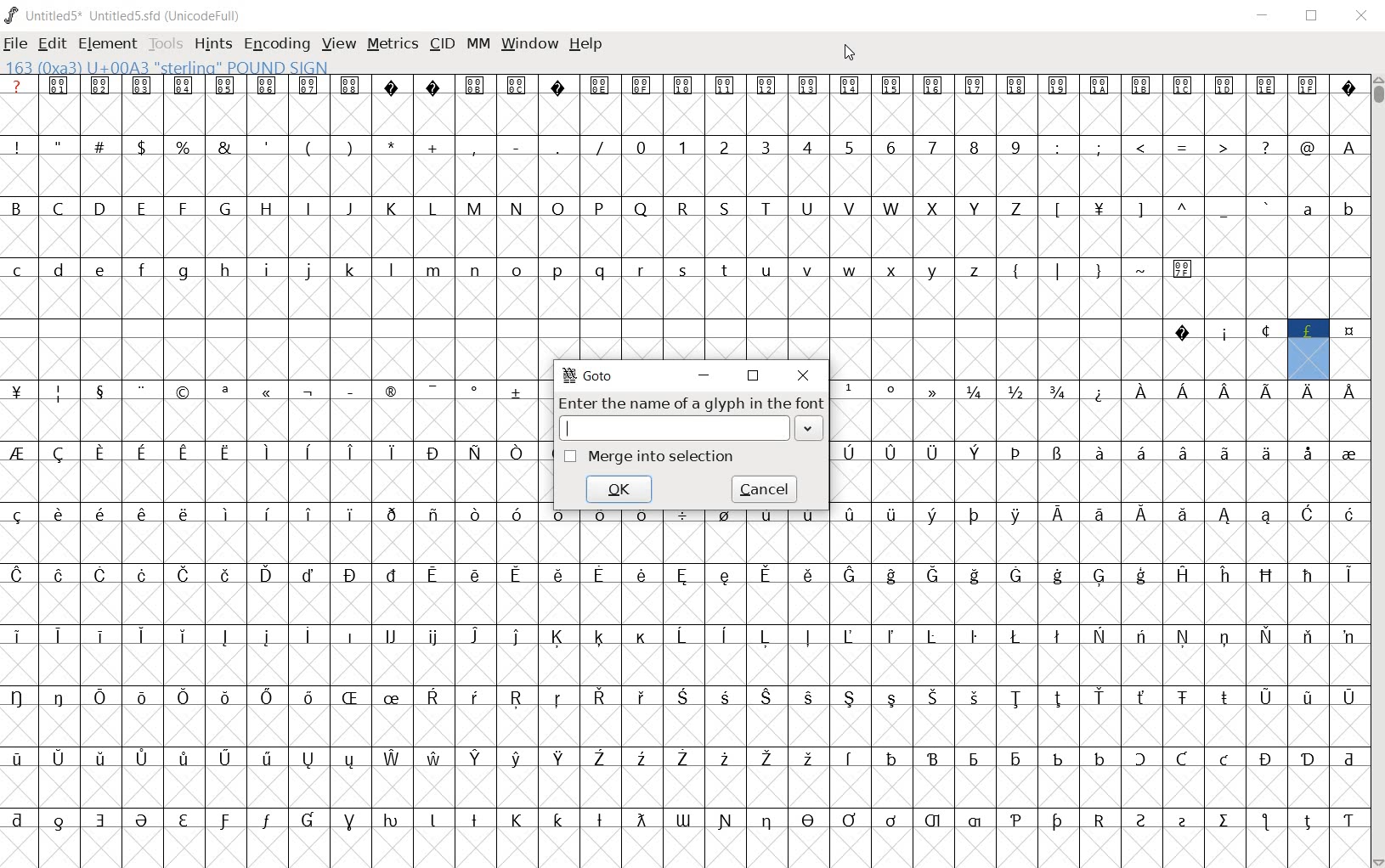 This screenshot has height=868, width=1385. Describe the element at coordinates (269, 472) in the screenshot. I see `glyph characters` at that location.